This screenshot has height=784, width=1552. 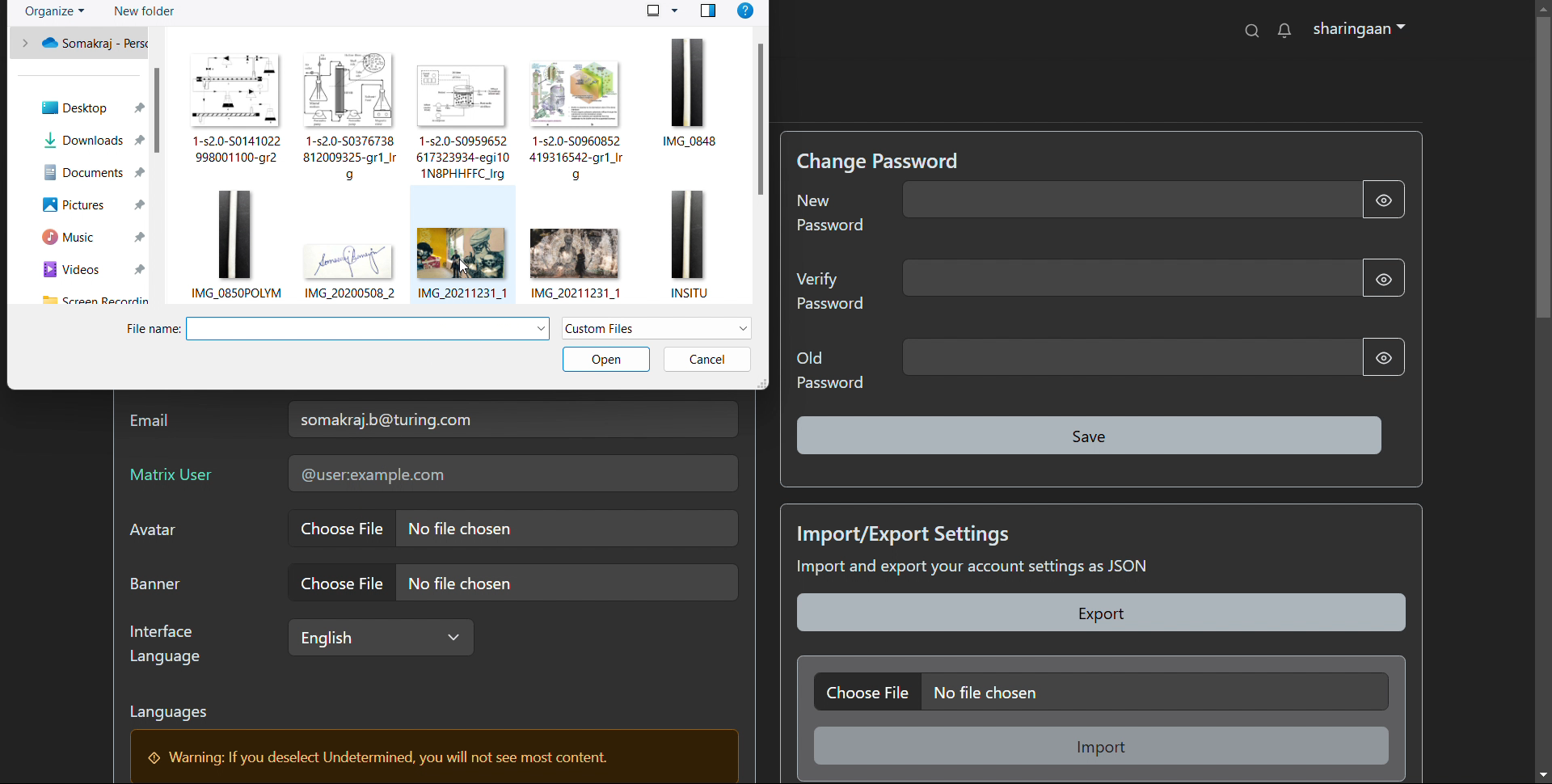 What do you see at coordinates (833, 218) in the screenshot?
I see `New Password` at bounding box center [833, 218].